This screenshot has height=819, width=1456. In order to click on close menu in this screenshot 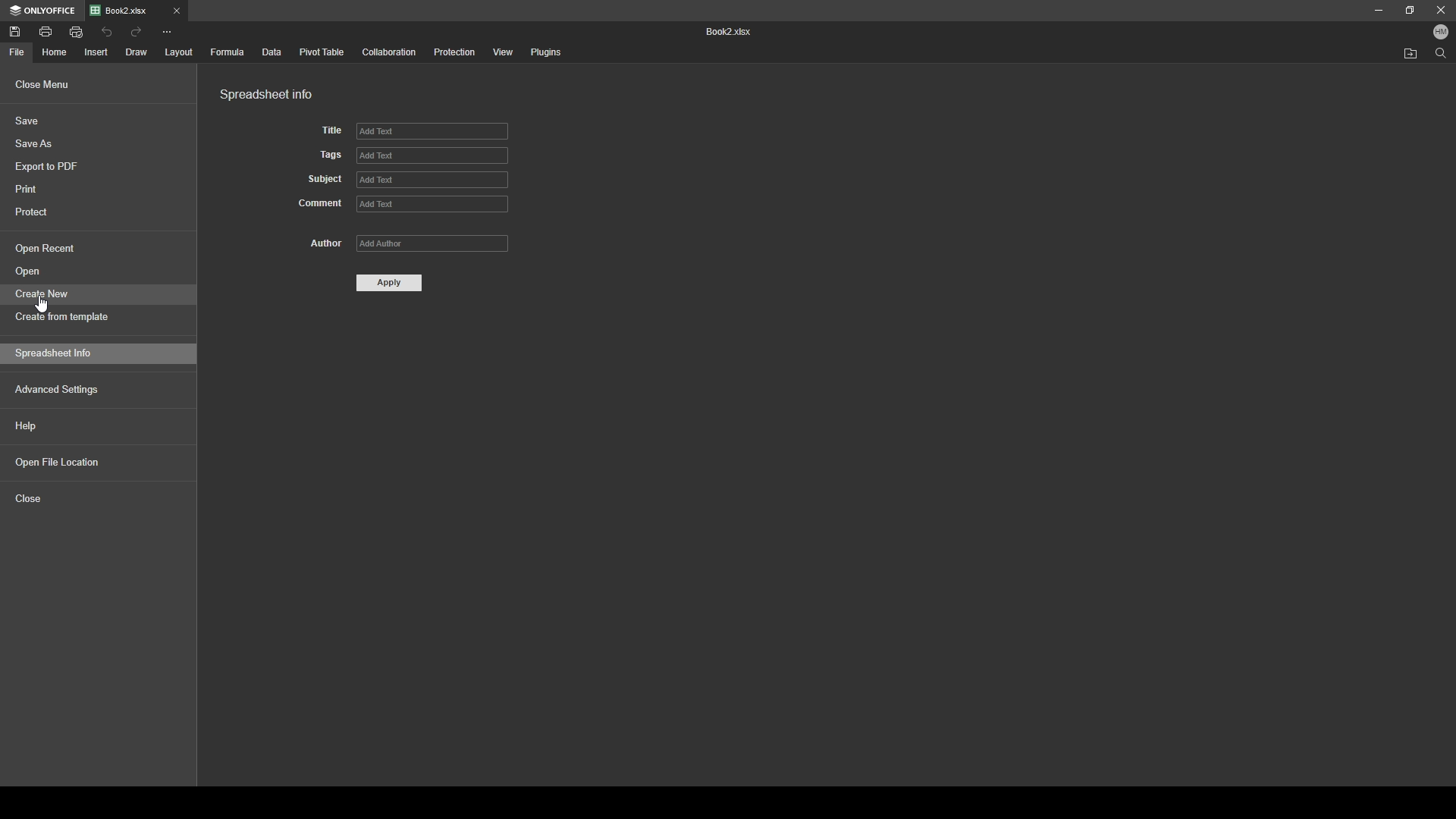, I will do `click(89, 83)`.